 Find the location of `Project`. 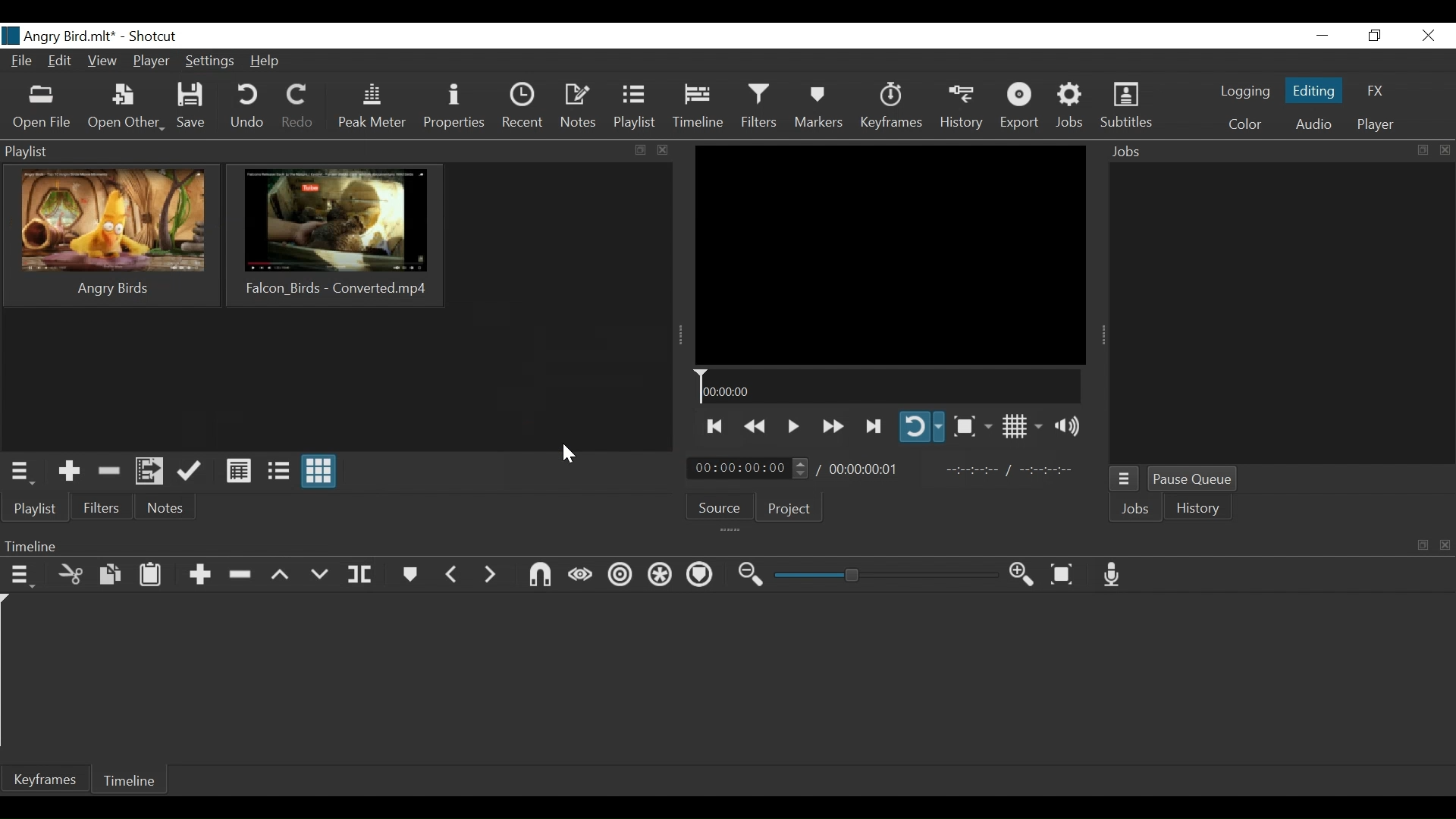

Project is located at coordinates (789, 509).